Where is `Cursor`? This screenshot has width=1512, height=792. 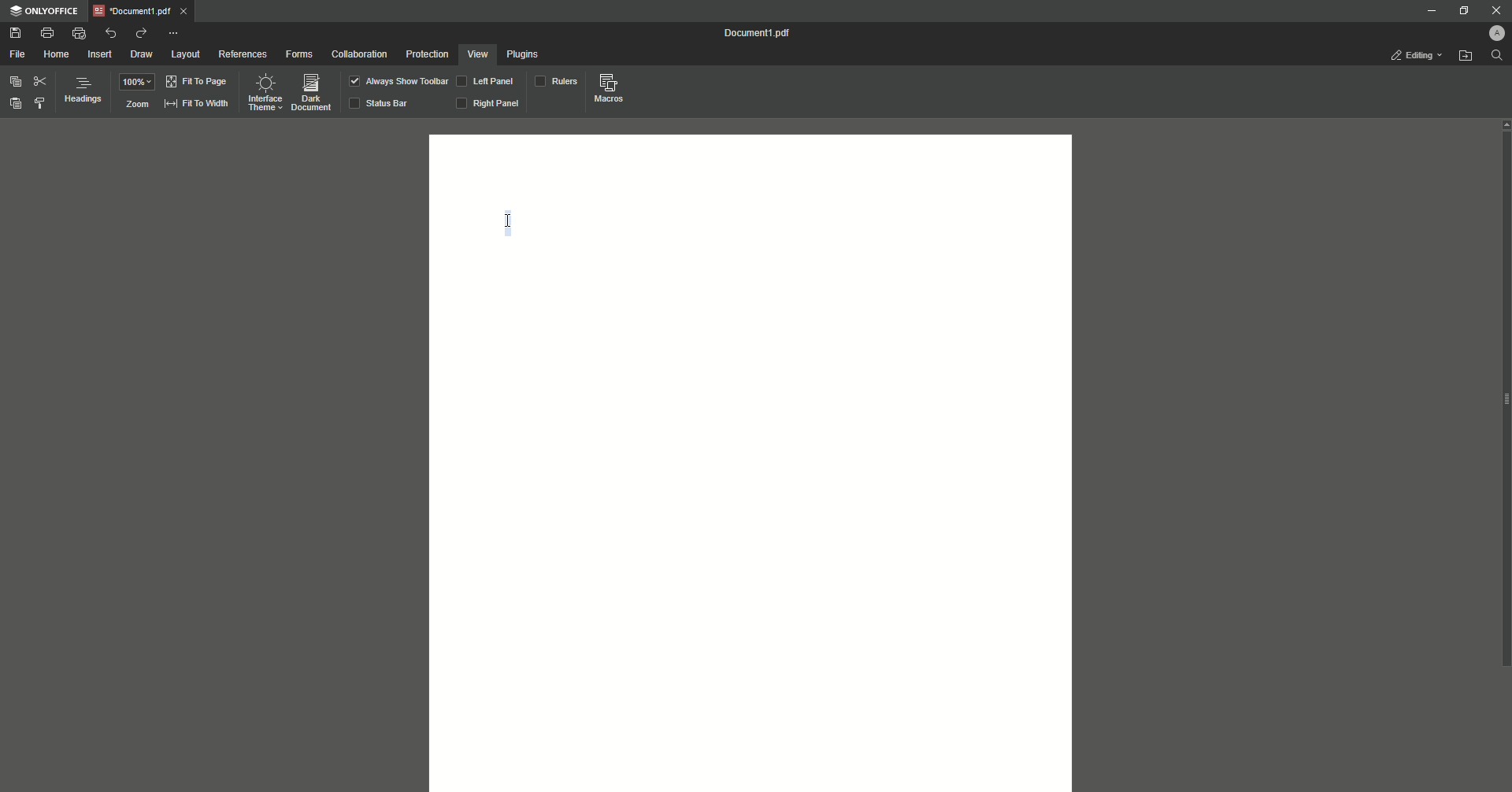
Cursor is located at coordinates (509, 222).